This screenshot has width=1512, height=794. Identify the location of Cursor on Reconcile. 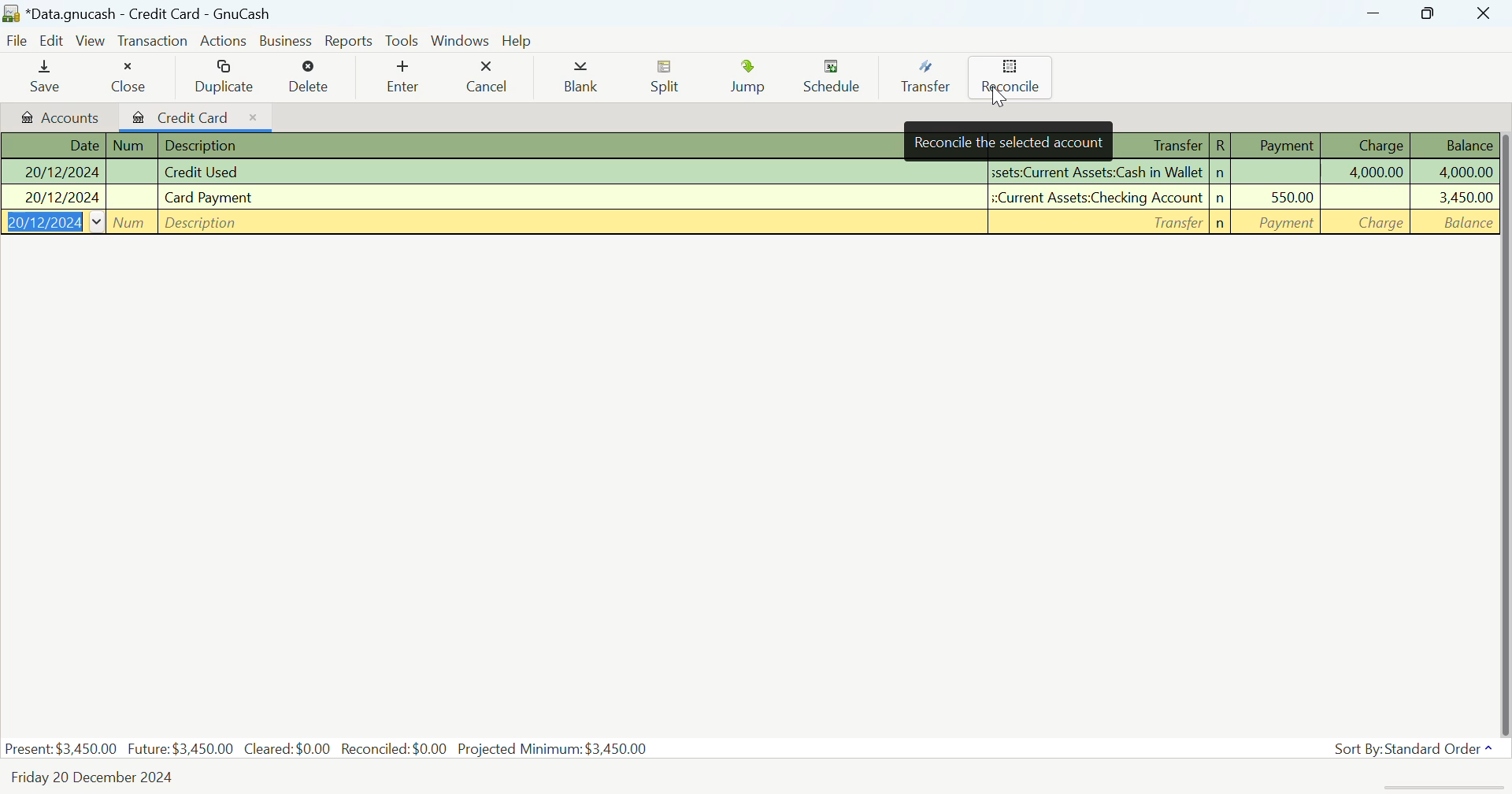
(1010, 79).